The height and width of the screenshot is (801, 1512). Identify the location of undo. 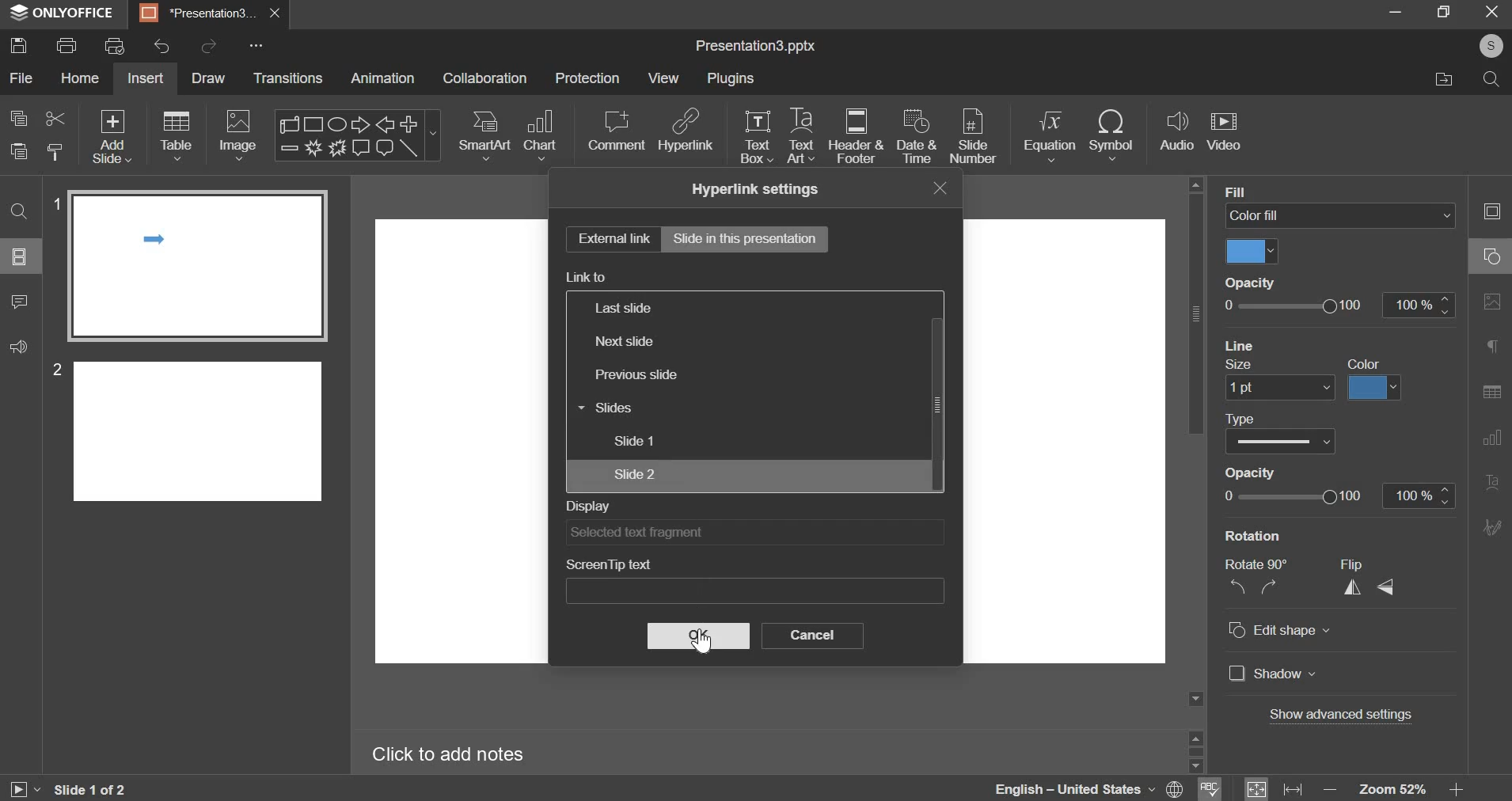
(161, 46).